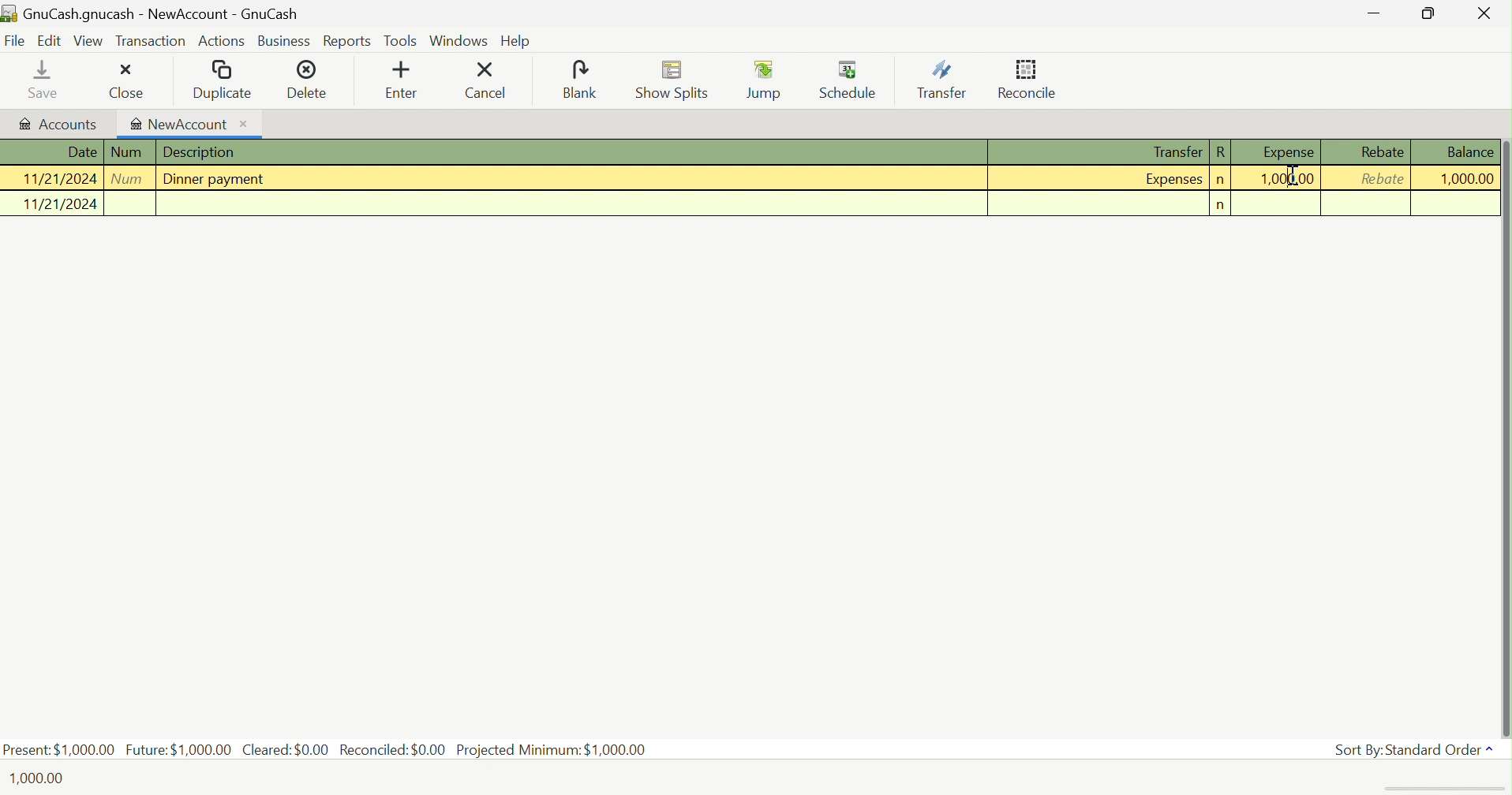  Describe the element at coordinates (149, 12) in the screenshot. I see `GnuCash.gnucash - Accounts - GnuCash` at that location.